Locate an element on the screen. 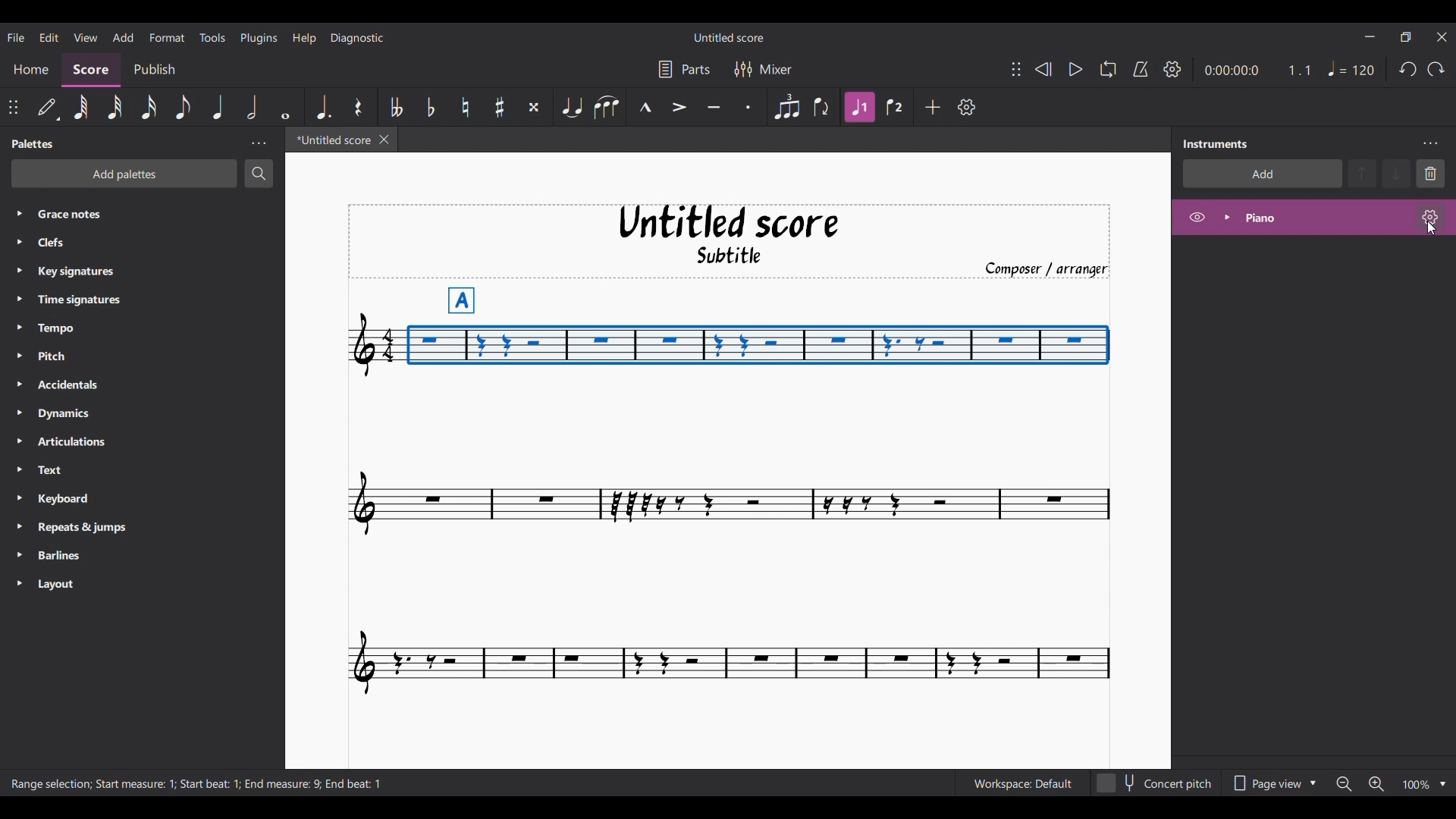 Image resolution: width=1456 pixels, height=819 pixels. Half note is located at coordinates (251, 107).